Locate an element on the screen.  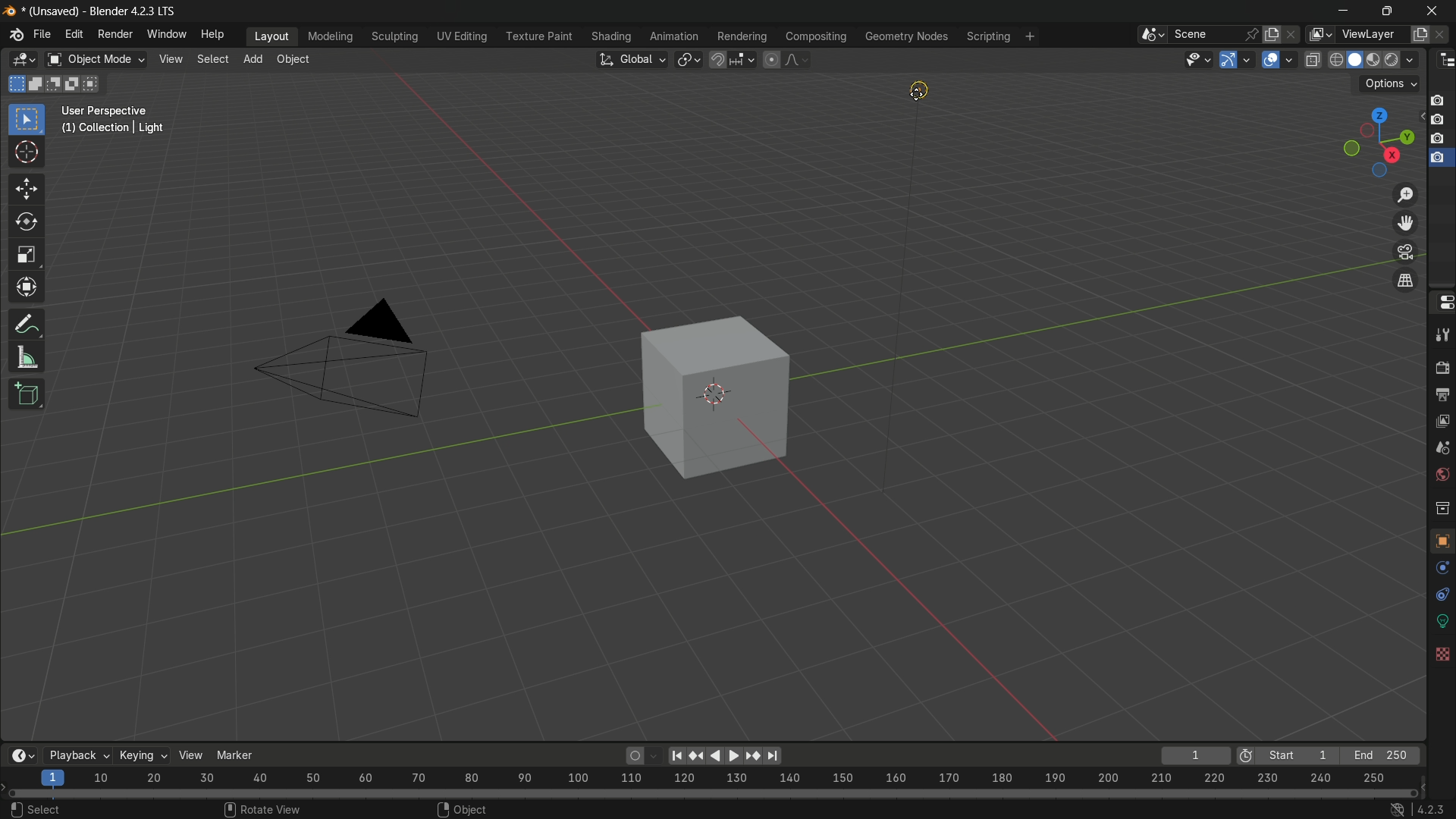
constraints is located at coordinates (1441, 648).